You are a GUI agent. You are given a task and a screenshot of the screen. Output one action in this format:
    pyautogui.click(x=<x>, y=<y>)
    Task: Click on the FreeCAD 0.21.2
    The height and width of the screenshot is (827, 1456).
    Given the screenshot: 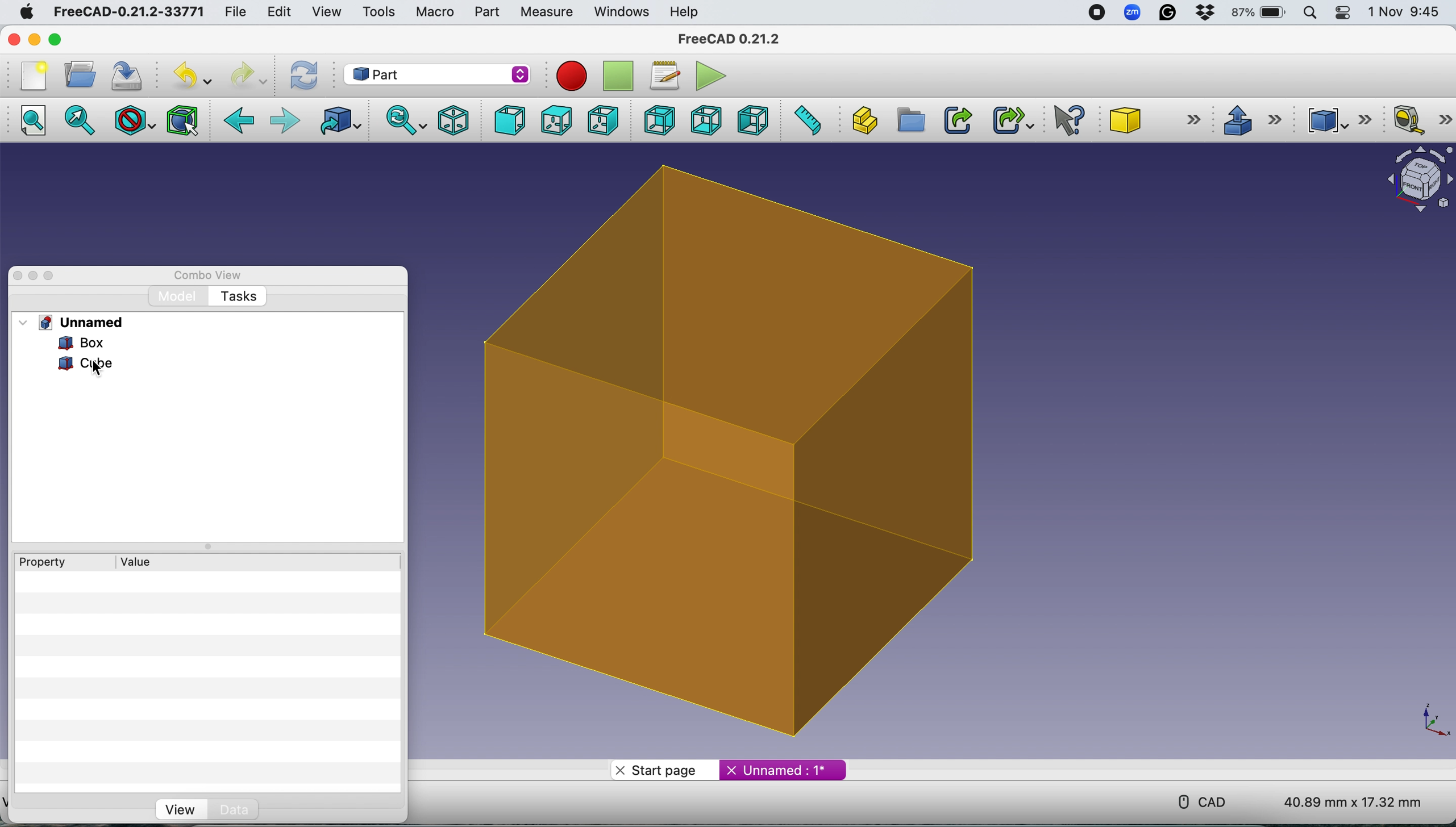 What is the action you would take?
    pyautogui.click(x=731, y=40)
    